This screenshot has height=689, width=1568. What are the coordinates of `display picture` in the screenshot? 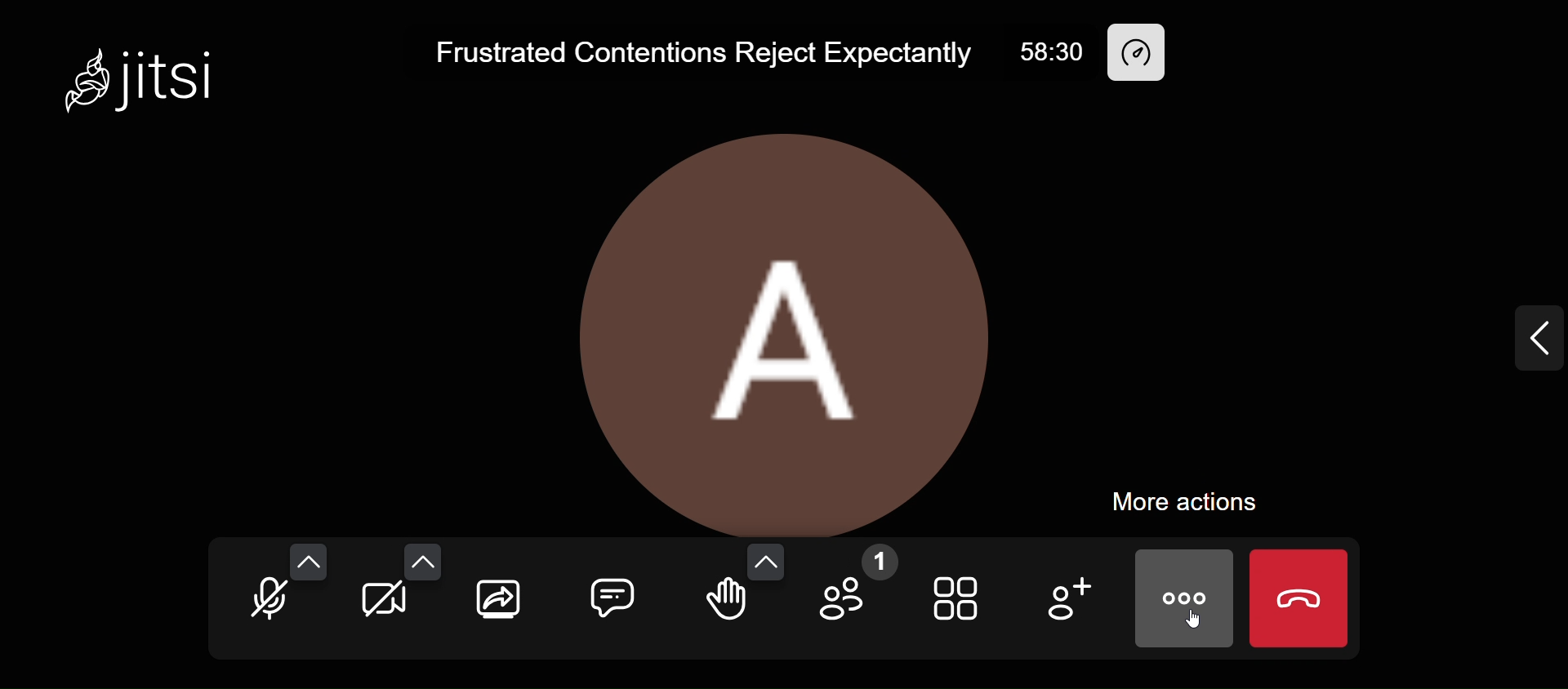 It's located at (804, 329).